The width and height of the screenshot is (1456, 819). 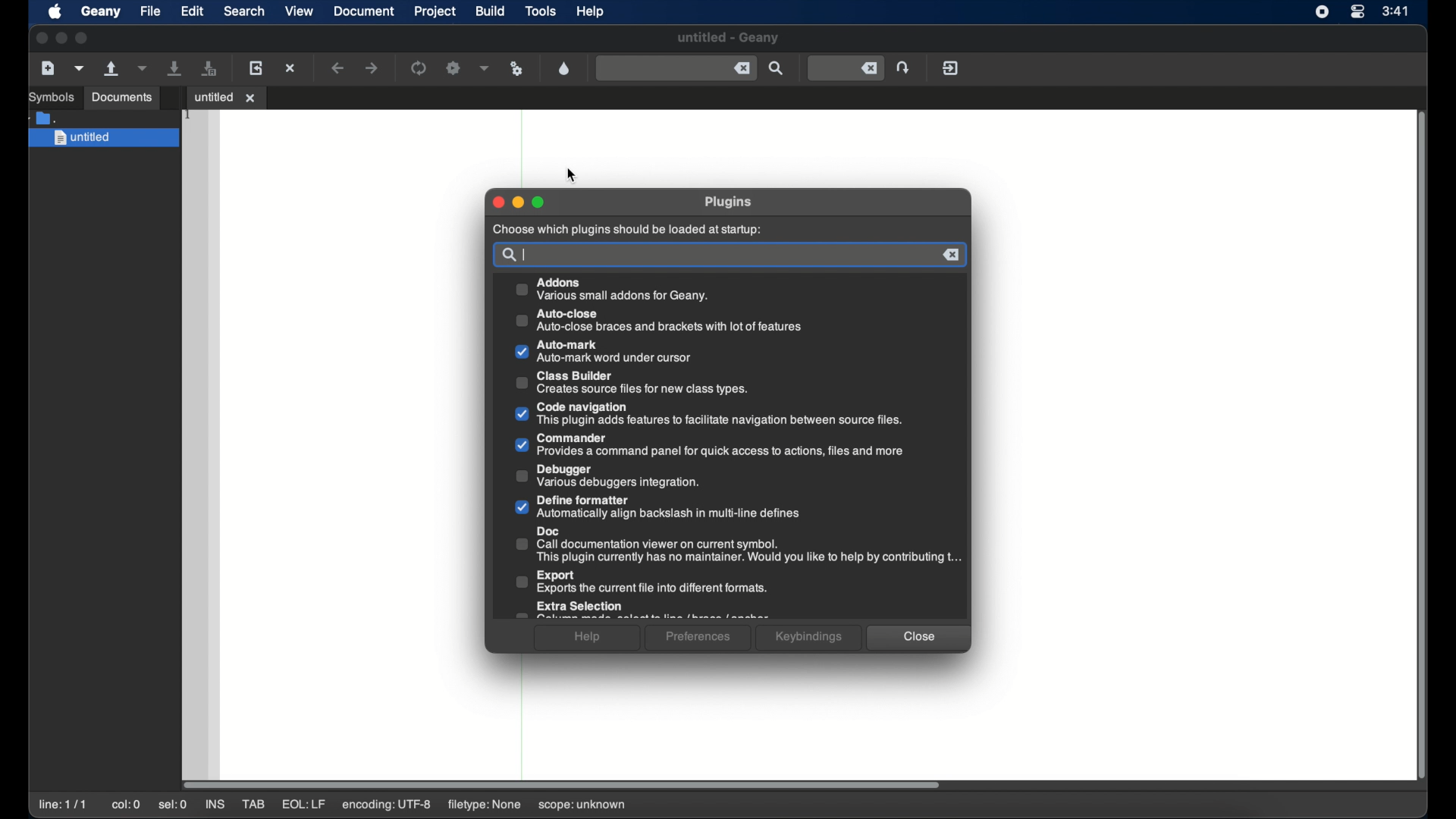 What do you see at coordinates (564, 69) in the screenshot?
I see `open color chooser dialog` at bounding box center [564, 69].